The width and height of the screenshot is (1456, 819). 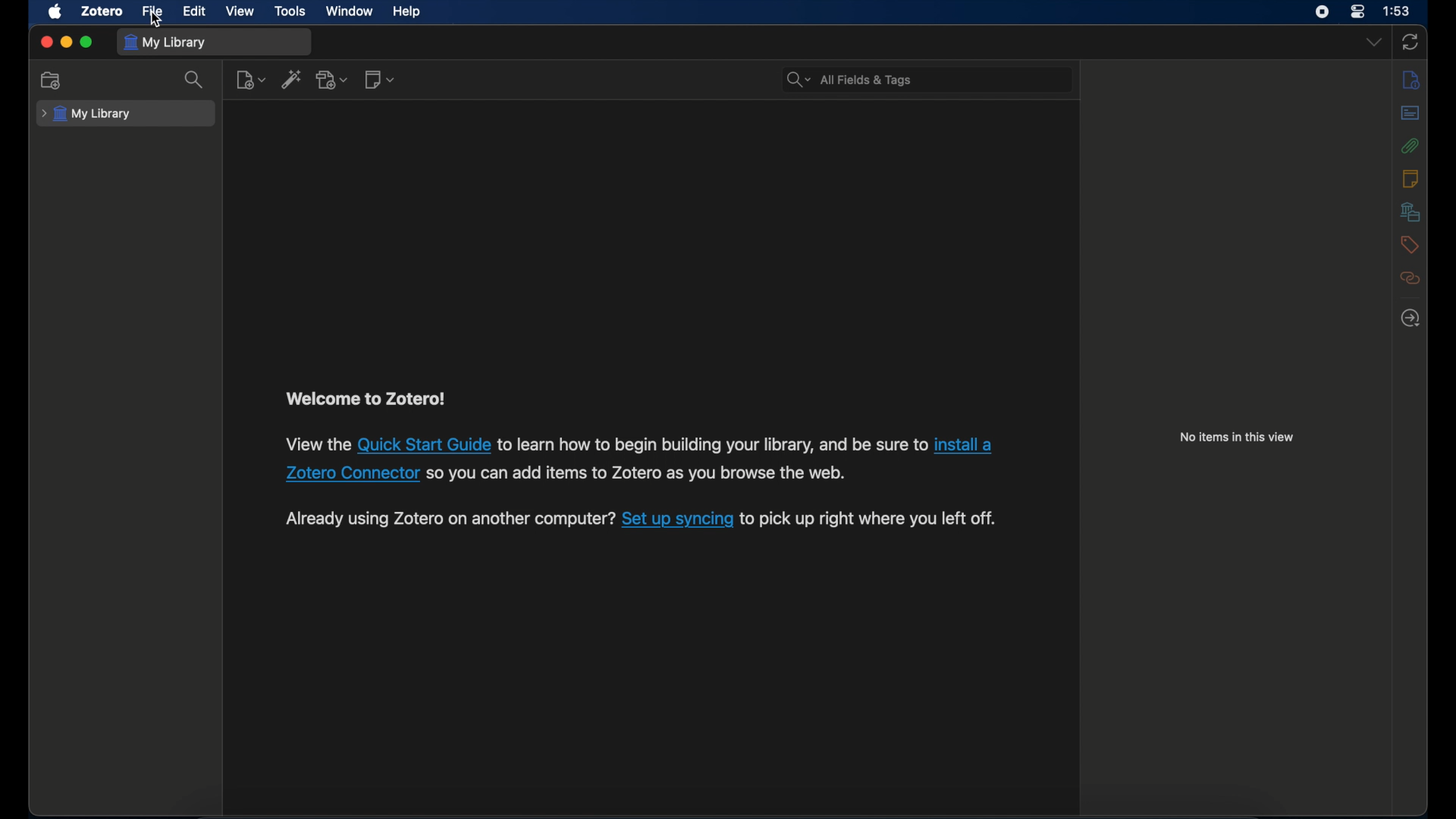 I want to click on control center, so click(x=1357, y=12).